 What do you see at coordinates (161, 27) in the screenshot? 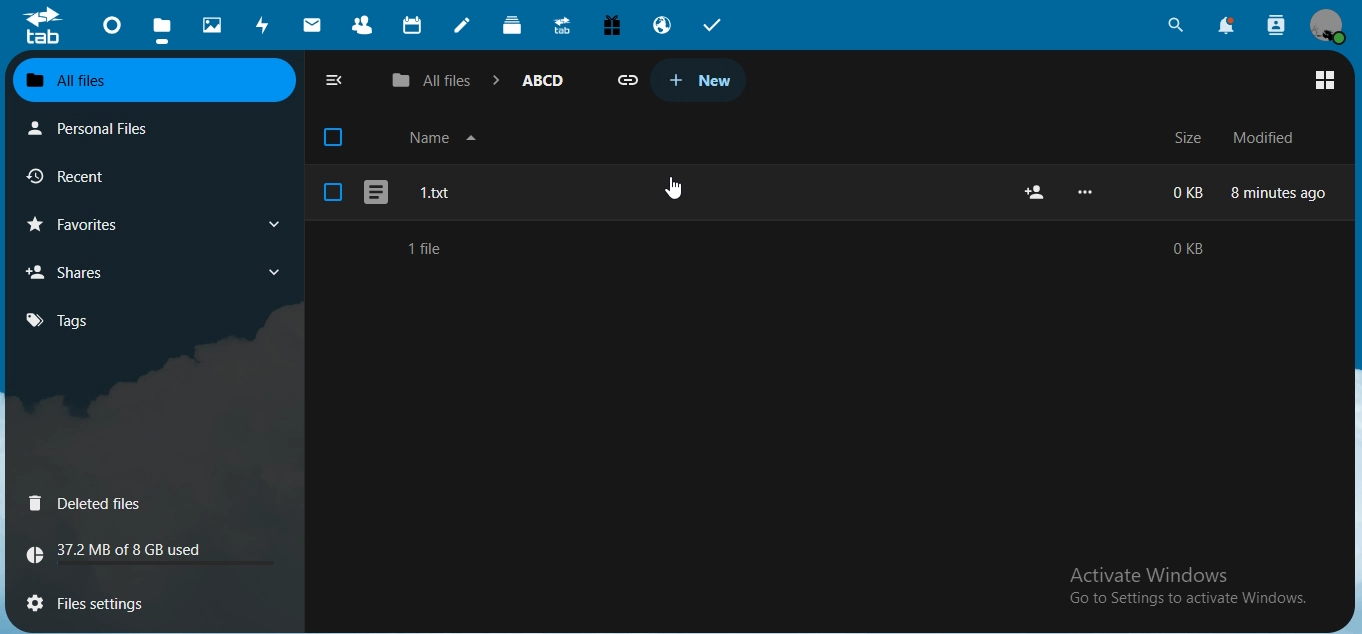
I see `files` at bounding box center [161, 27].